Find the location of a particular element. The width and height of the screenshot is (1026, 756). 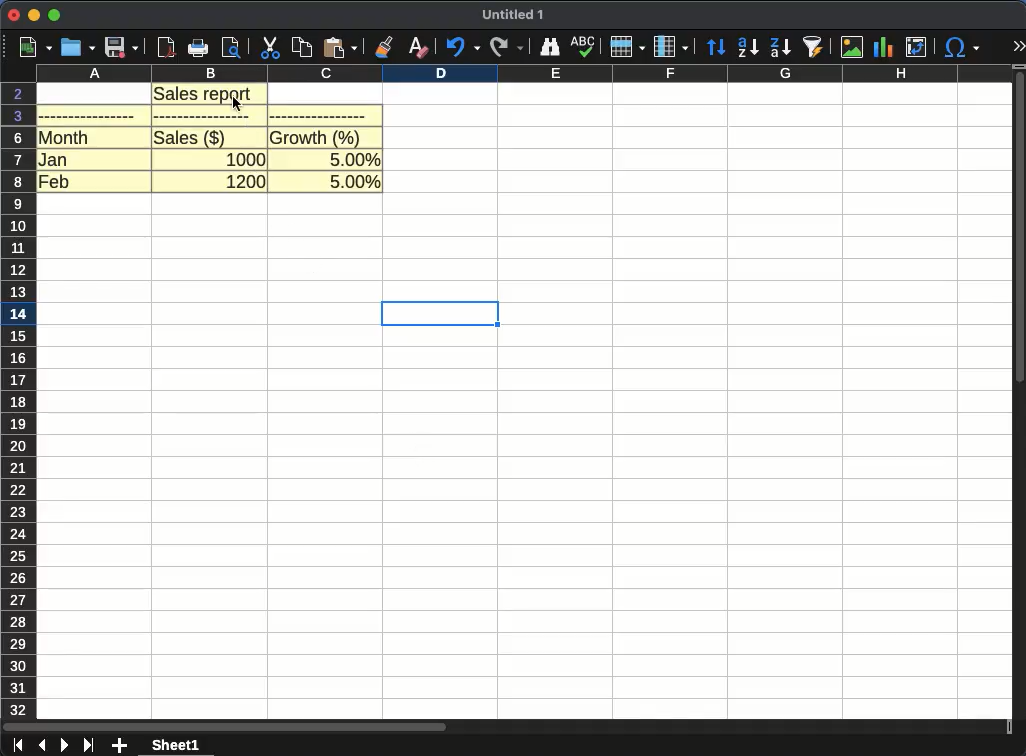

expand is located at coordinates (1018, 47).